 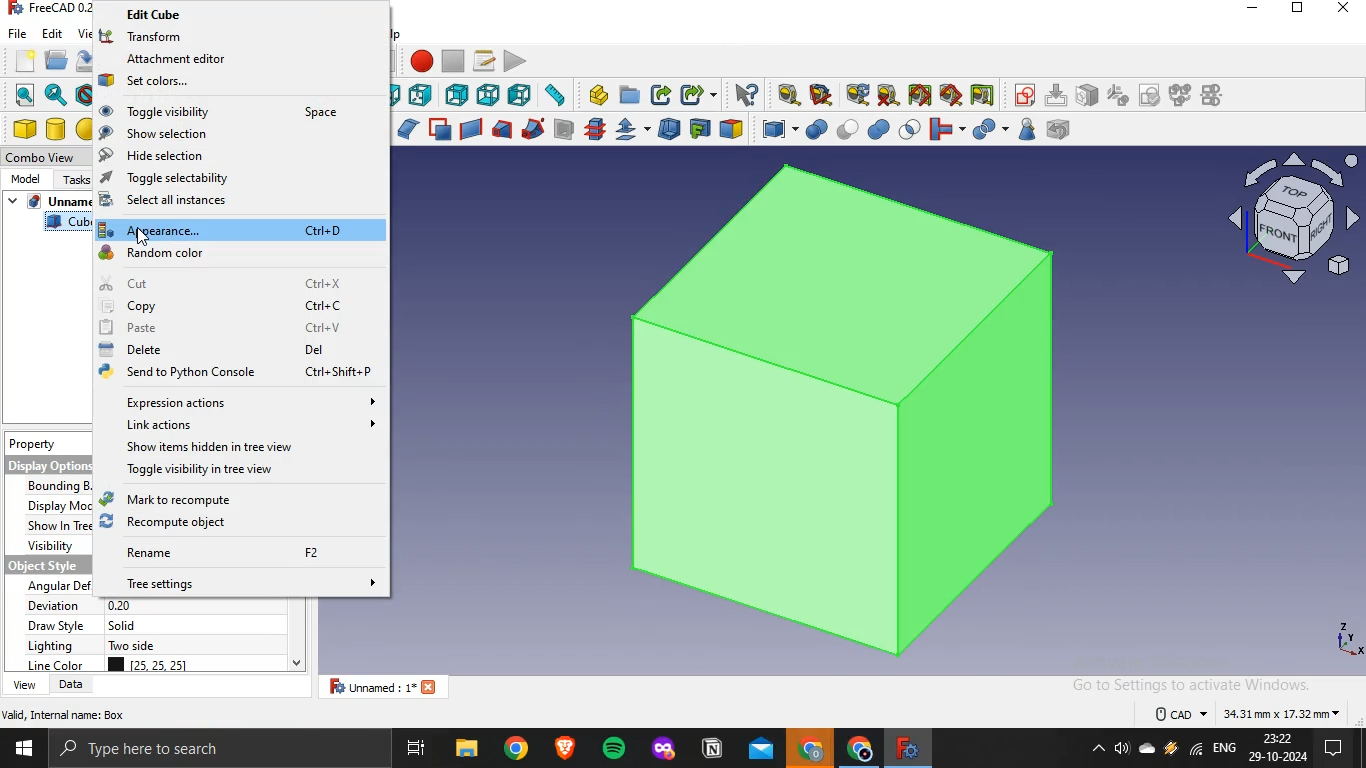 I want to click on icon, so click(x=1118, y=94).